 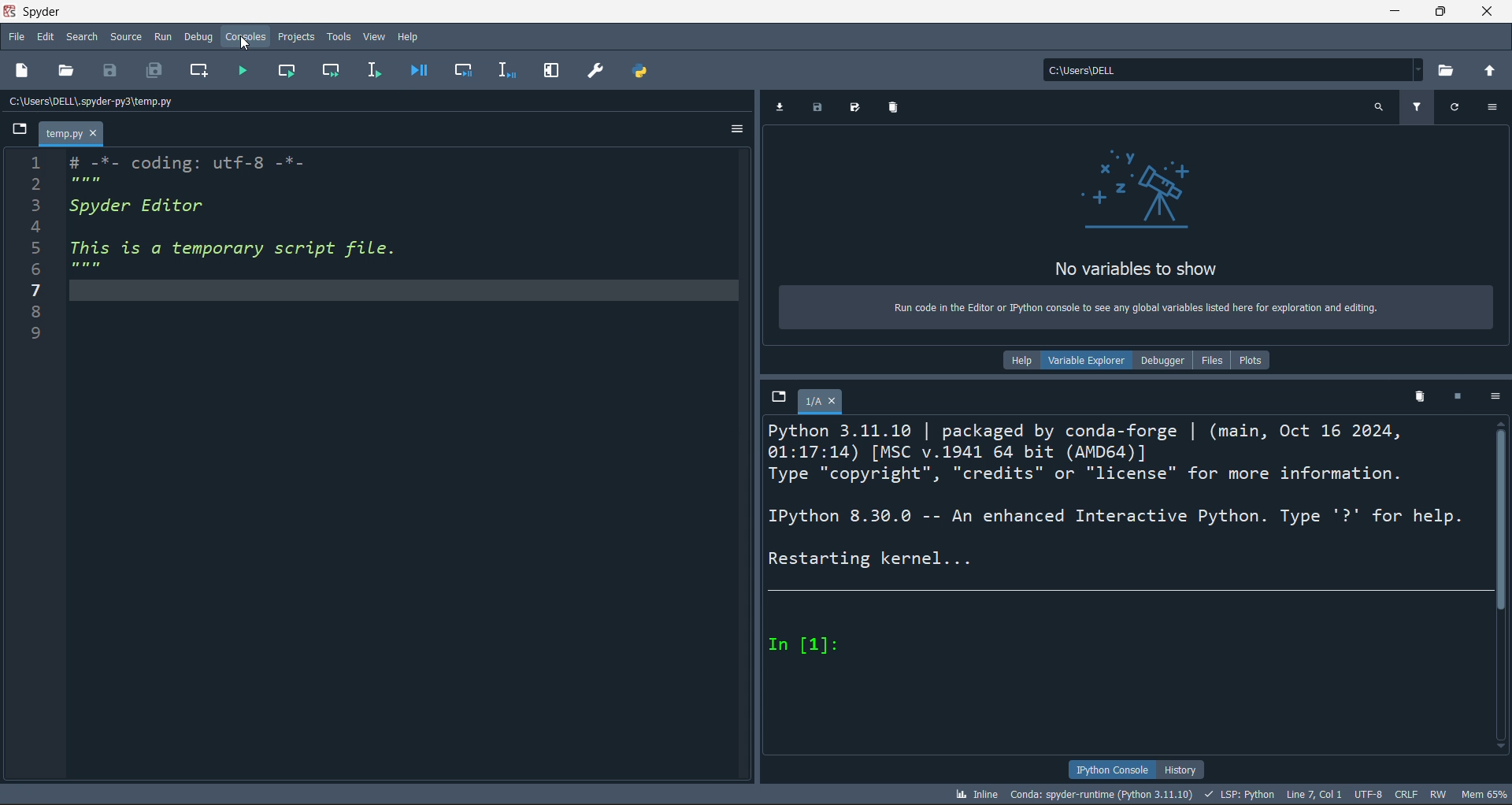 What do you see at coordinates (1394, 12) in the screenshot?
I see `minimize` at bounding box center [1394, 12].